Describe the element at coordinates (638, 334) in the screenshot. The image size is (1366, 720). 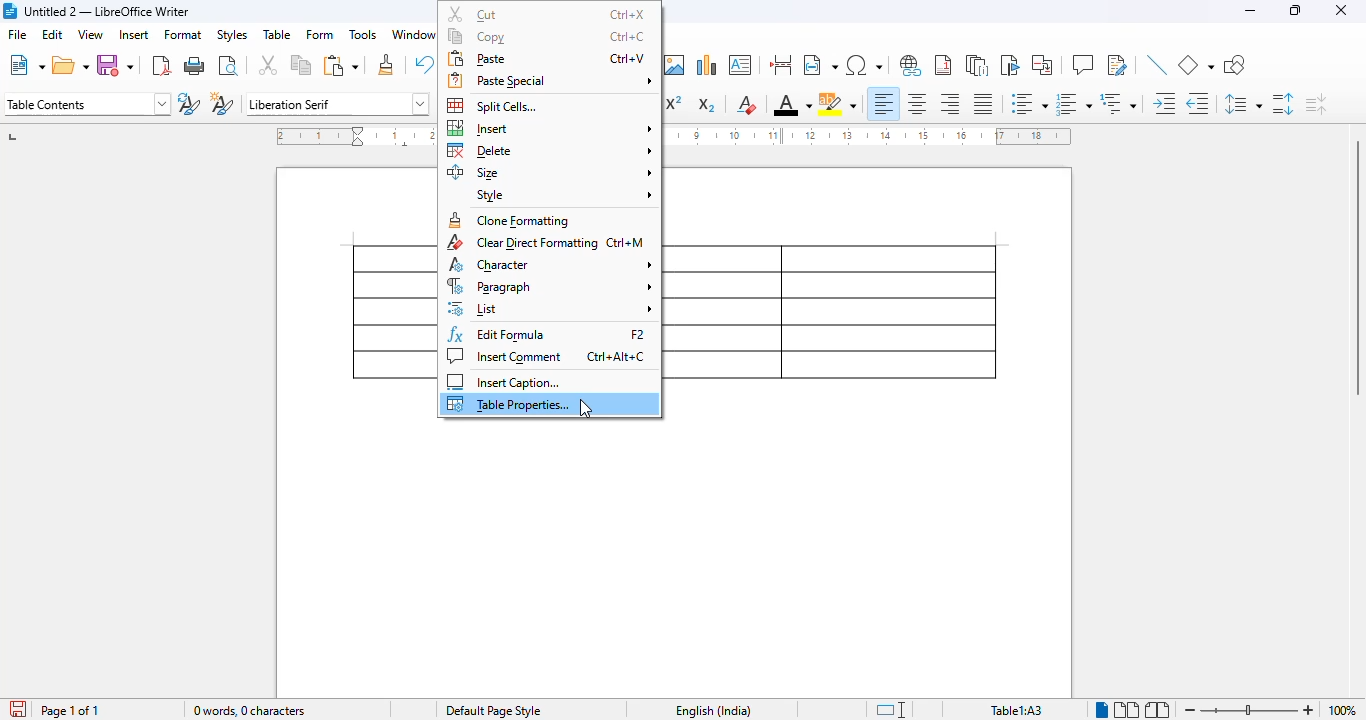
I see `shortcut for edit formula` at that location.